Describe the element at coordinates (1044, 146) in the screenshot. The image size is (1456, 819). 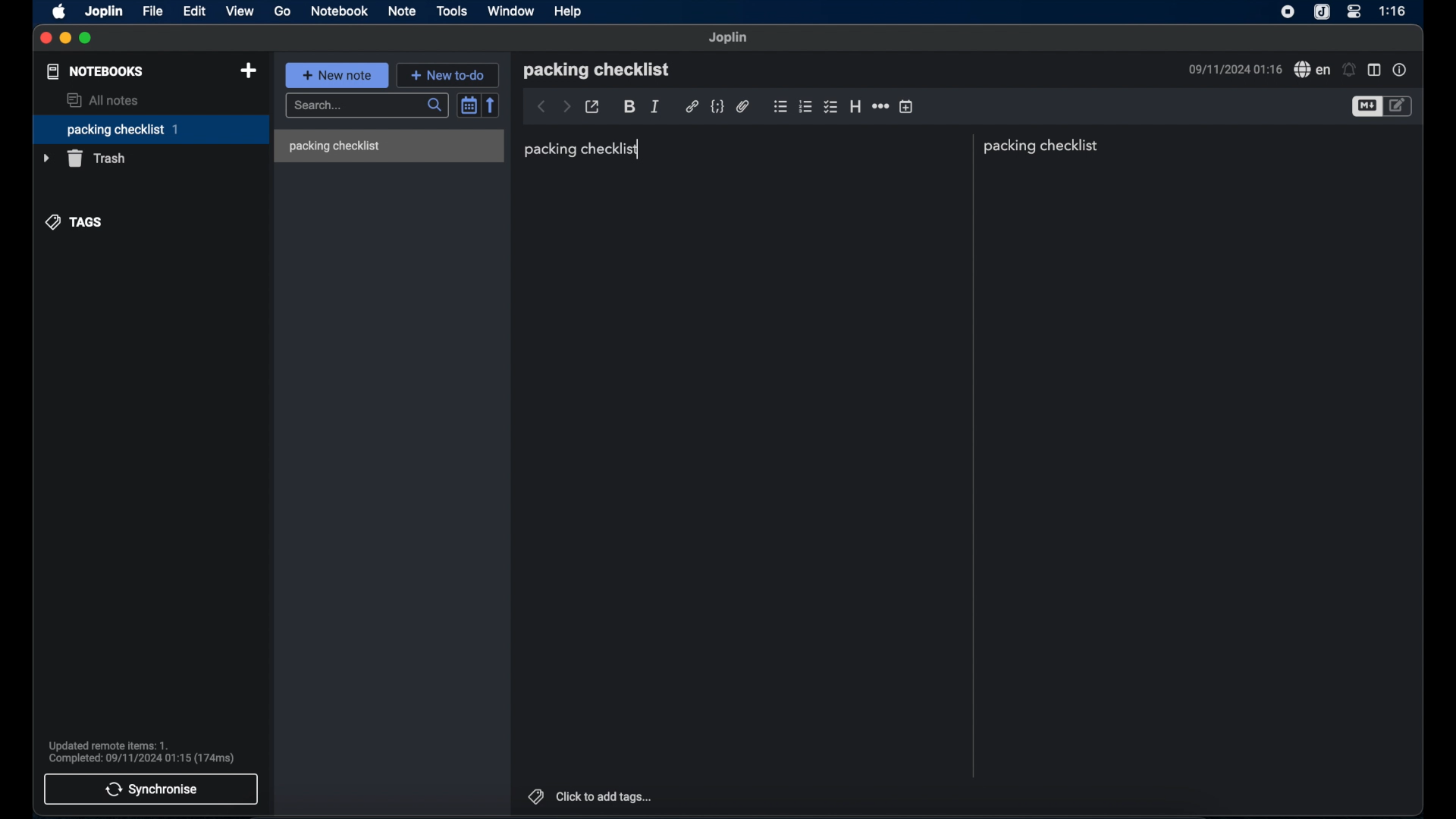
I see `packing checklist` at that location.